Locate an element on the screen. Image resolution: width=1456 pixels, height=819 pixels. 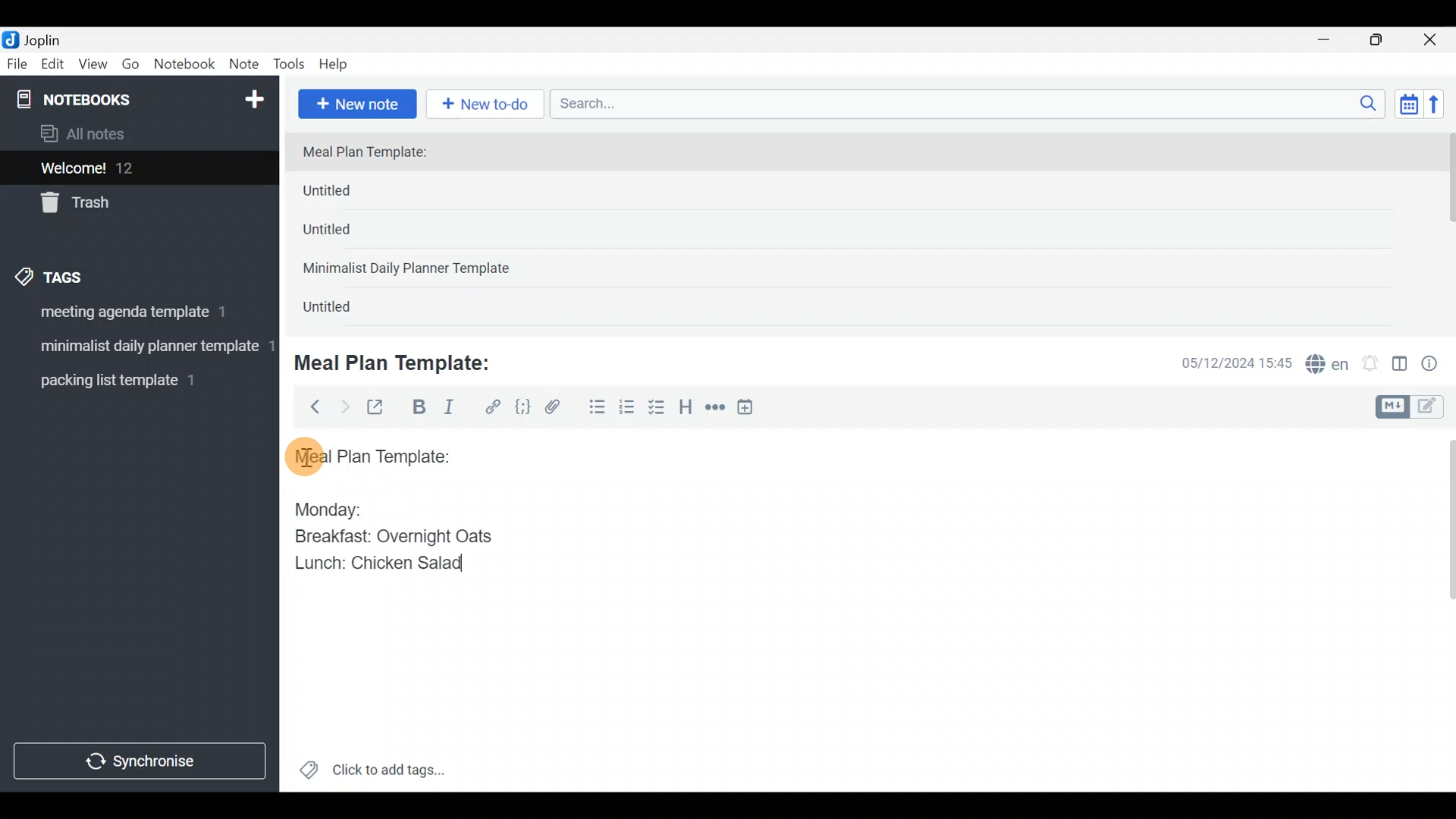
Monday: is located at coordinates (318, 507).